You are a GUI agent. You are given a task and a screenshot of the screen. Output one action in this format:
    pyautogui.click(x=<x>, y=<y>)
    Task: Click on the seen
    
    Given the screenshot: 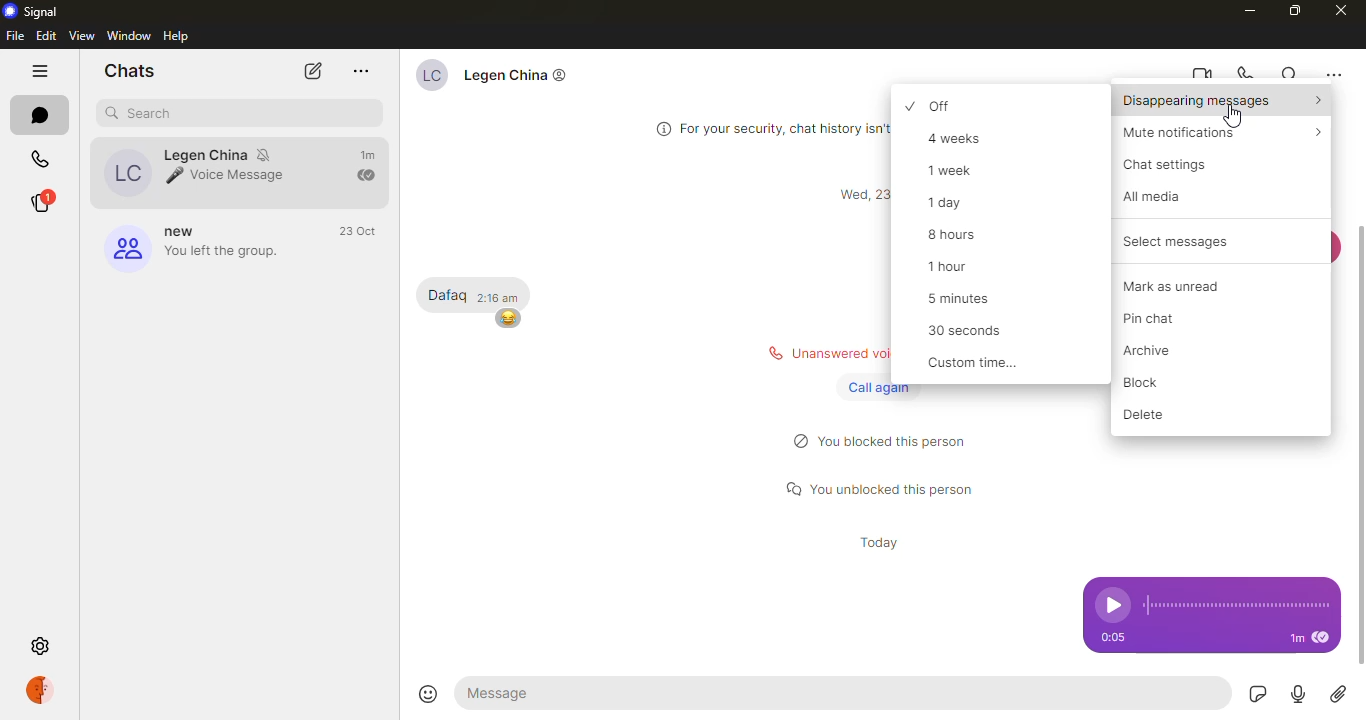 What is the action you would take?
    pyautogui.click(x=1320, y=638)
    